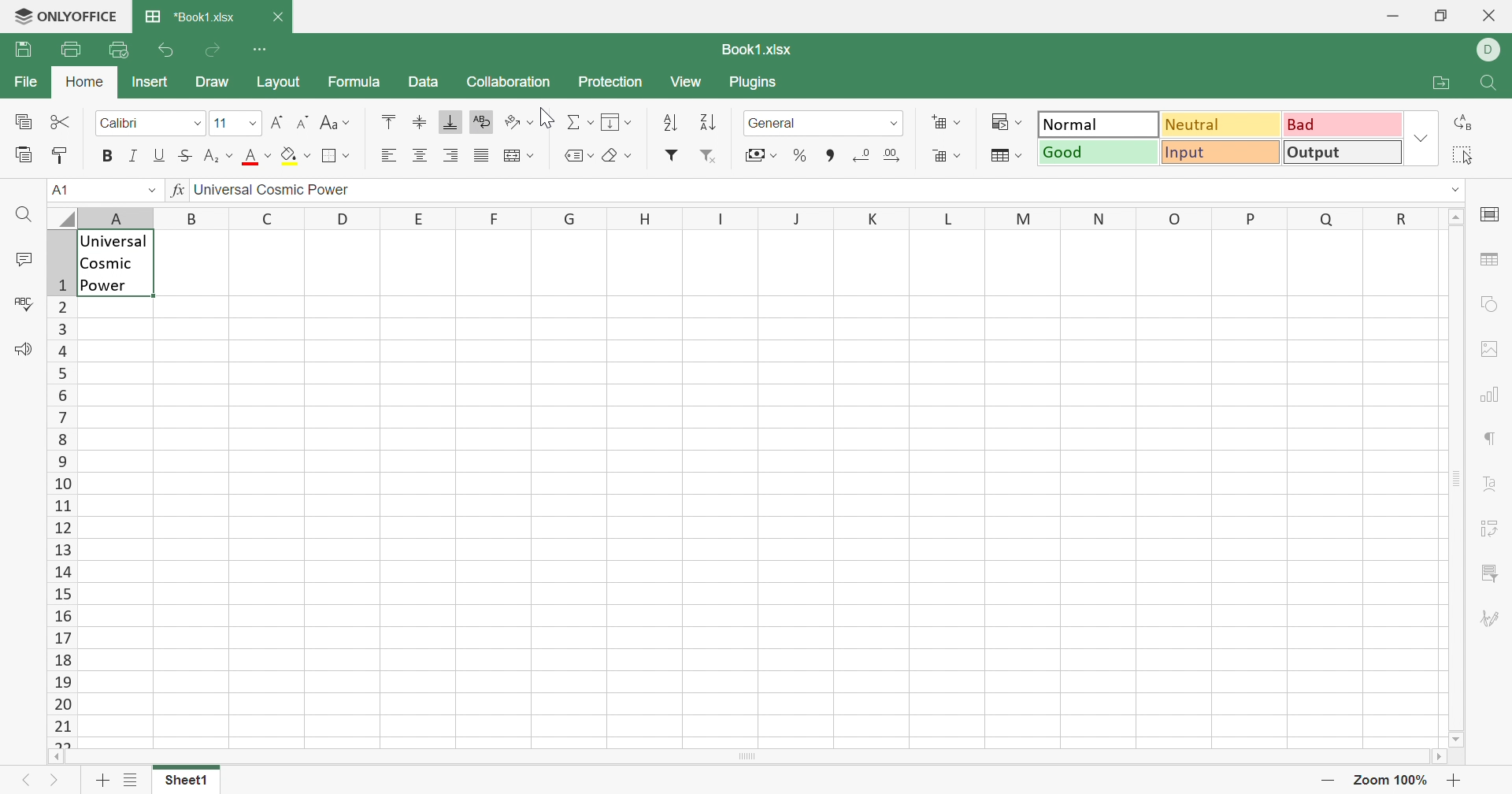 The image size is (1512, 794). I want to click on Bold, so click(102, 157).